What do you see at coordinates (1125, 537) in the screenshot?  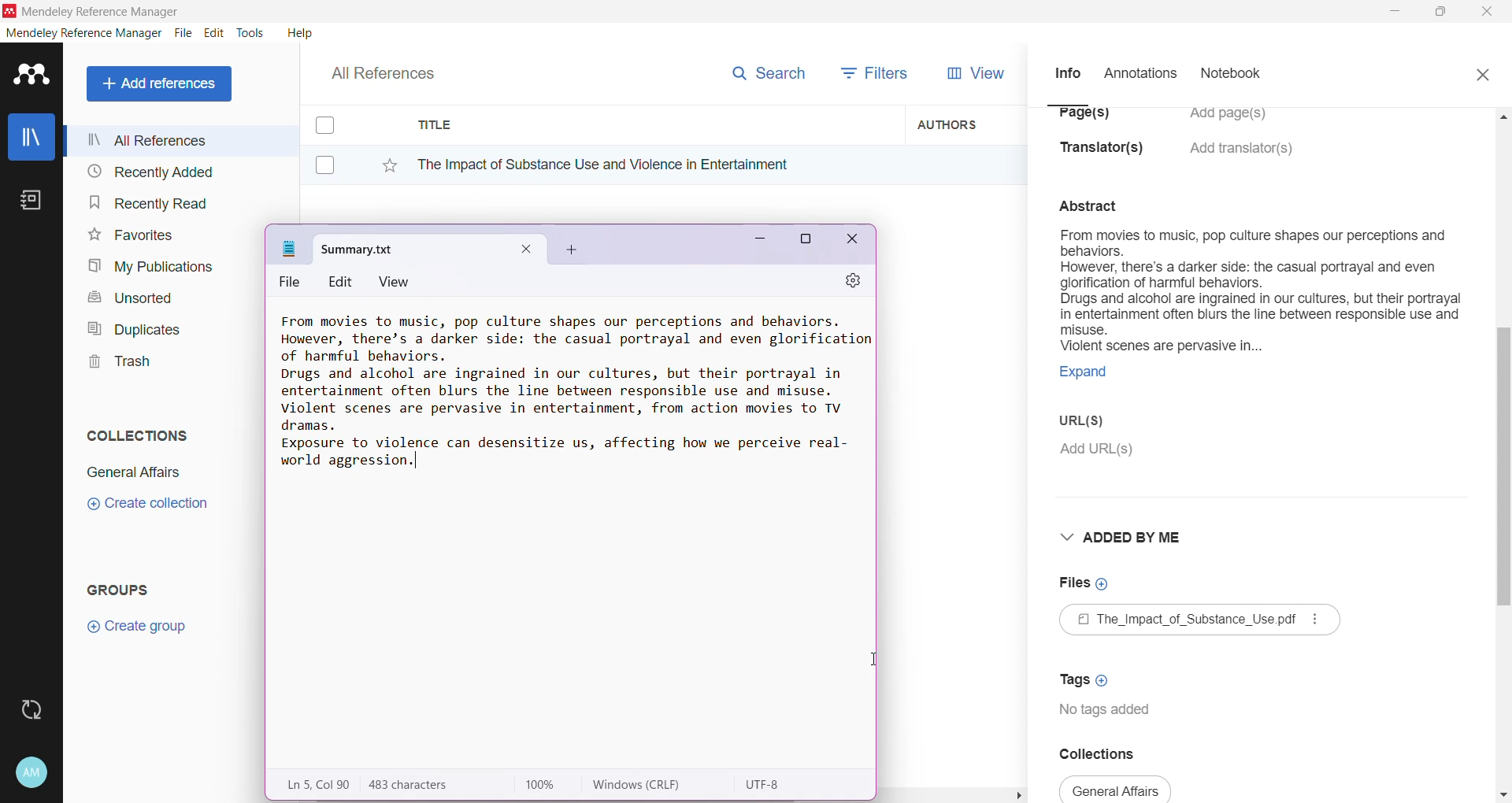 I see `Added By Me` at bounding box center [1125, 537].